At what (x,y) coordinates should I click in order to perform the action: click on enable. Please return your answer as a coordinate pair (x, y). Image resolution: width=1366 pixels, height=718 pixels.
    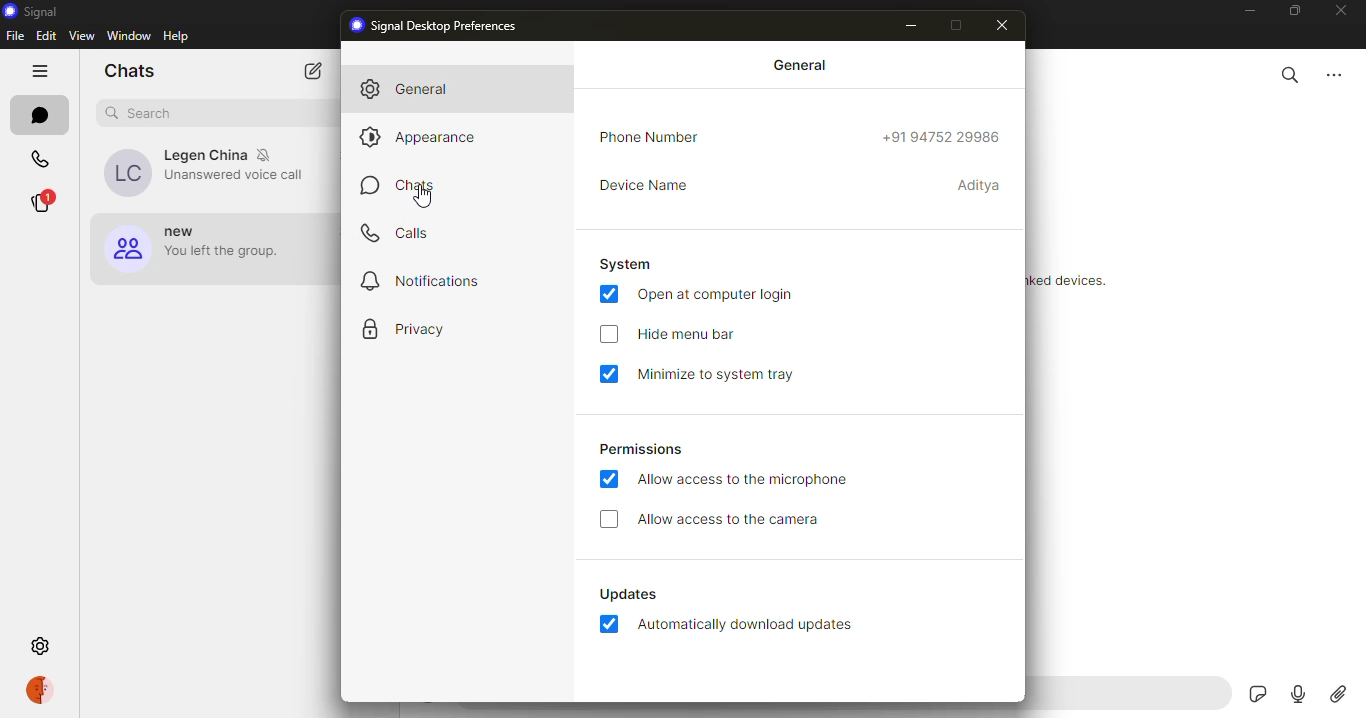
    Looking at the image, I should click on (609, 333).